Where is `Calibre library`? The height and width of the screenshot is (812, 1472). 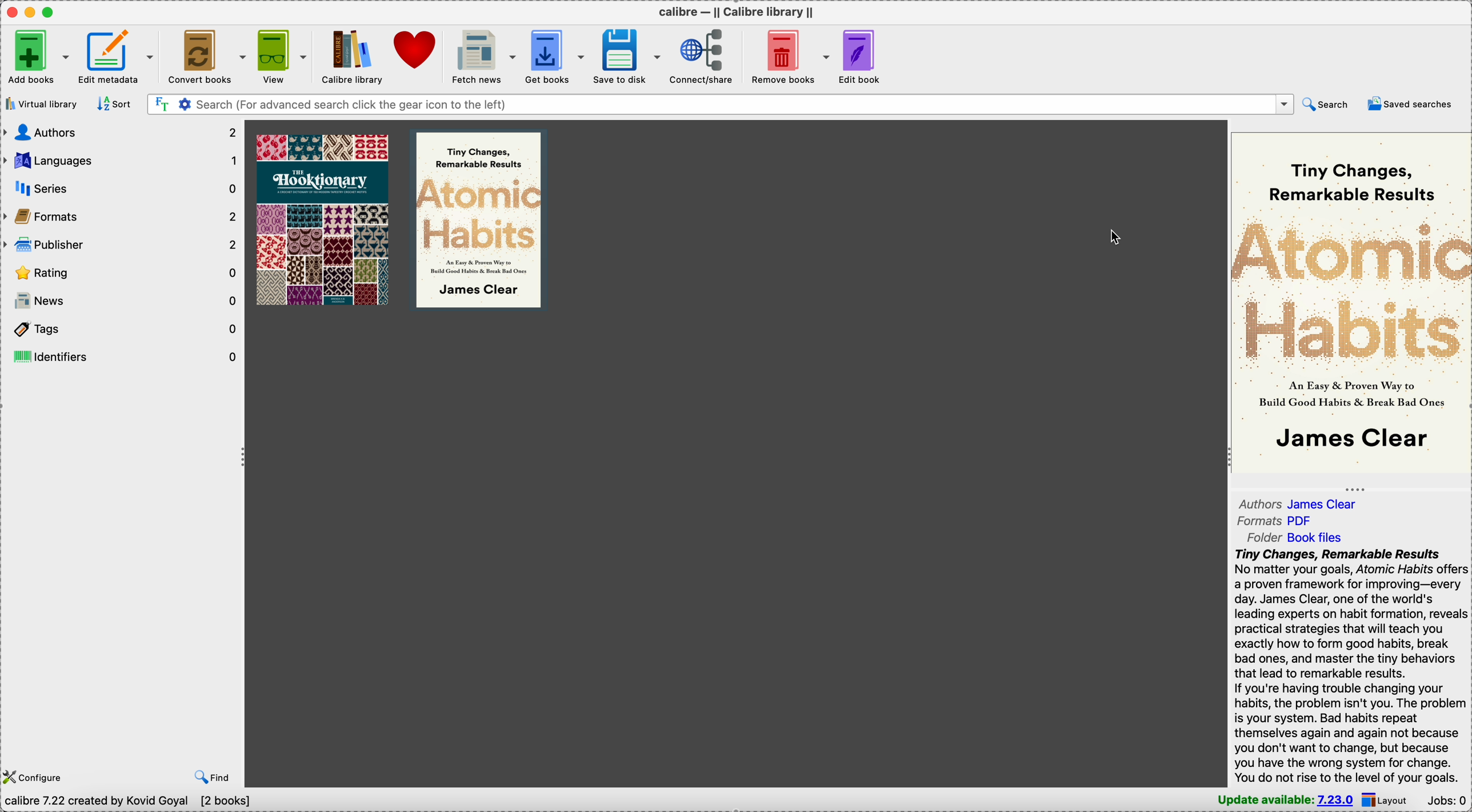 Calibre library is located at coordinates (351, 55).